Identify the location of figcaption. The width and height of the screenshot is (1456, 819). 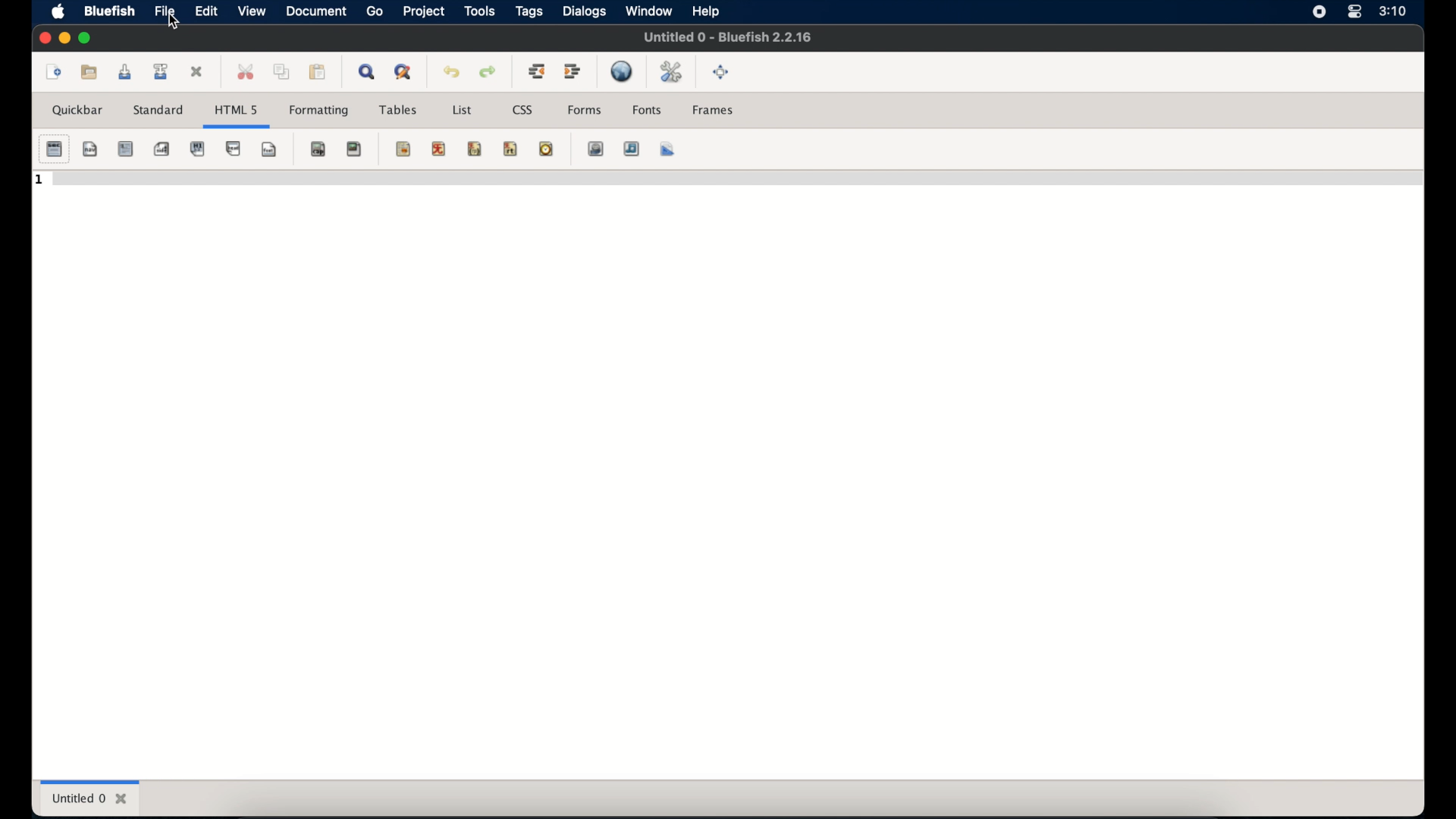
(319, 149).